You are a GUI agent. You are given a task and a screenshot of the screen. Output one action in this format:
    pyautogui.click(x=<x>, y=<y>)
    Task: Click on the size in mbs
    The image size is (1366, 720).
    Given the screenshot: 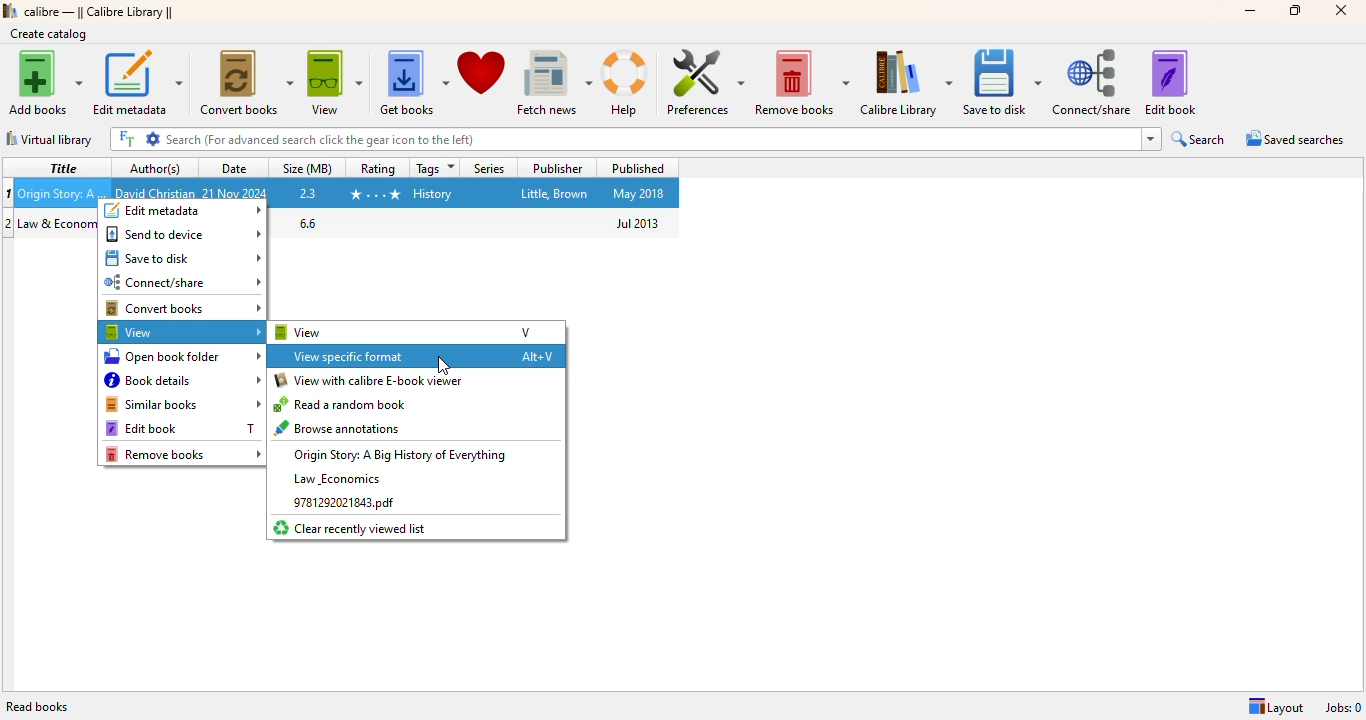 What is the action you would take?
    pyautogui.click(x=307, y=222)
    